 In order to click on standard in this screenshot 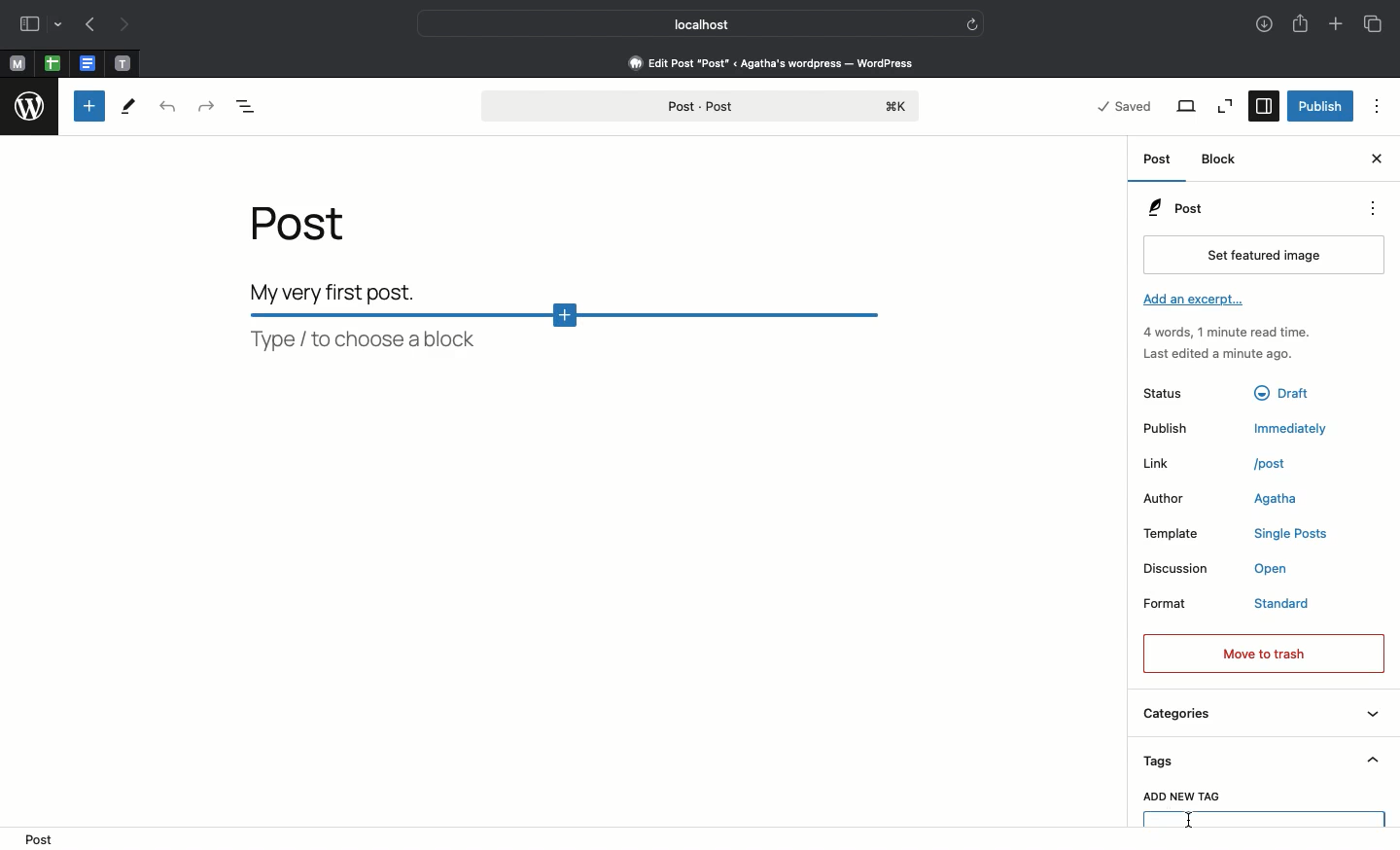, I will do `click(1284, 604)`.